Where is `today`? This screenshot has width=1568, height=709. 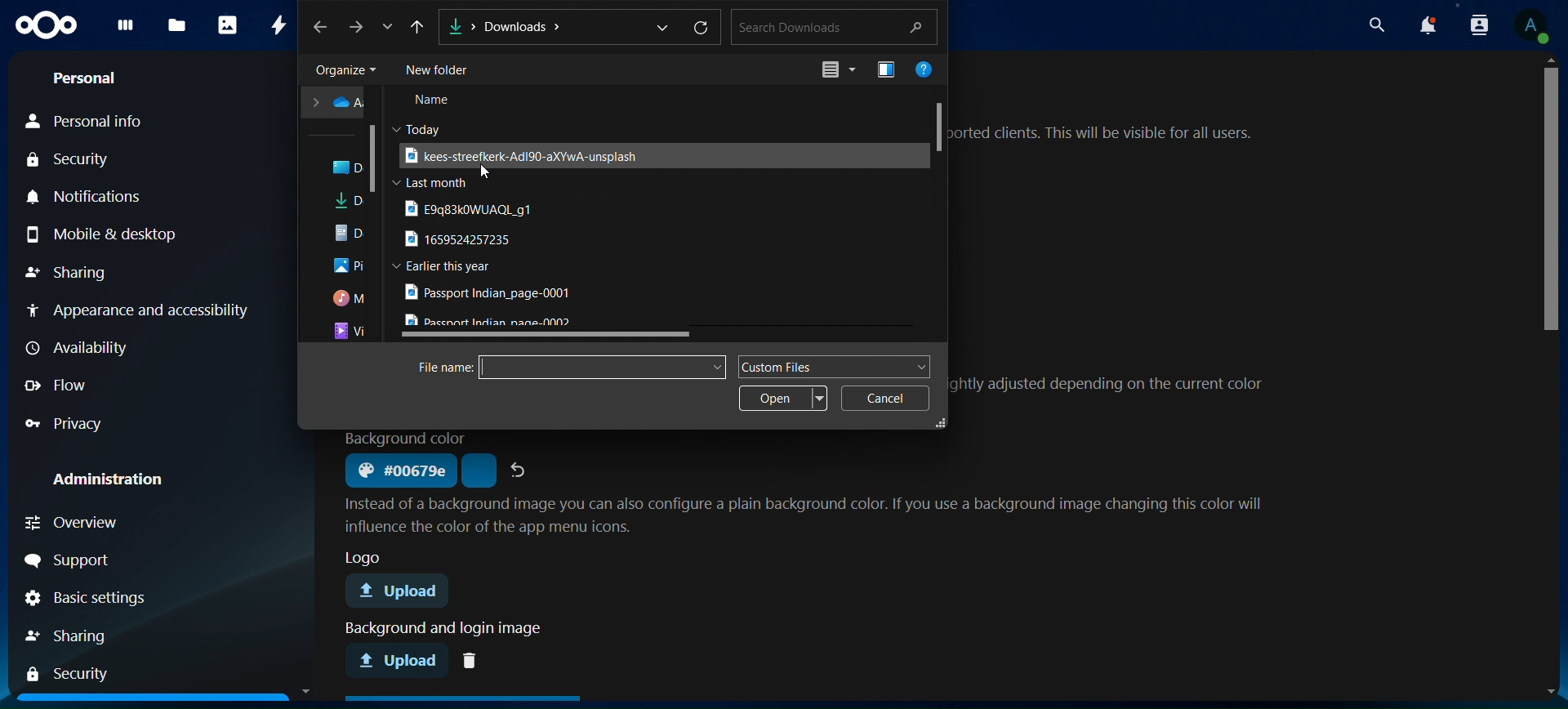 today is located at coordinates (423, 127).